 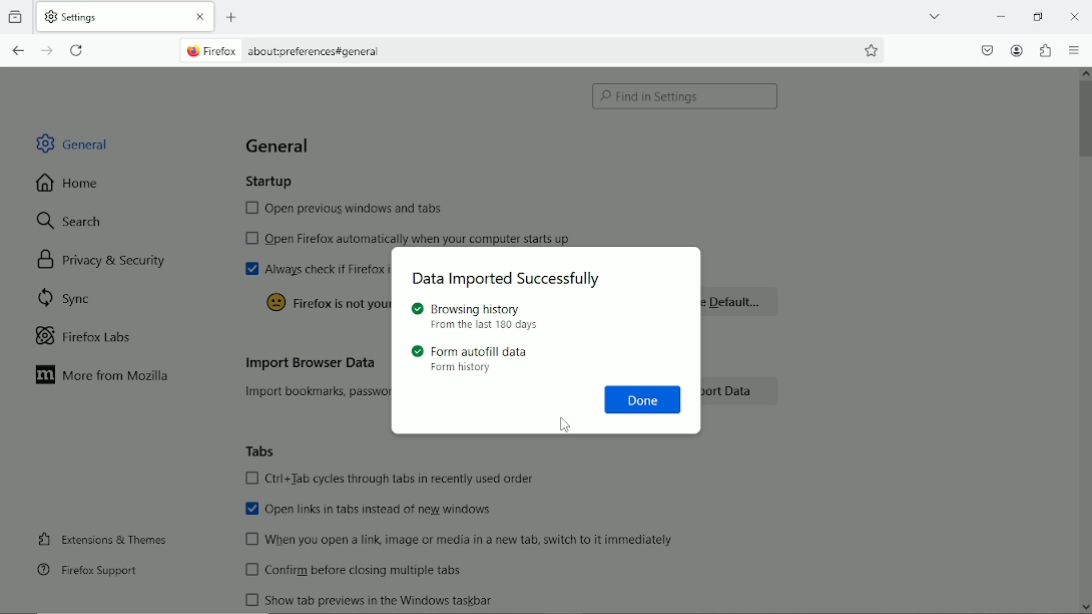 What do you see at coordinates (469, 541) in the screenshot?
I see `When you open a link, image or media in a new tab, switch to it immediately` at bounding box center [469, 541].